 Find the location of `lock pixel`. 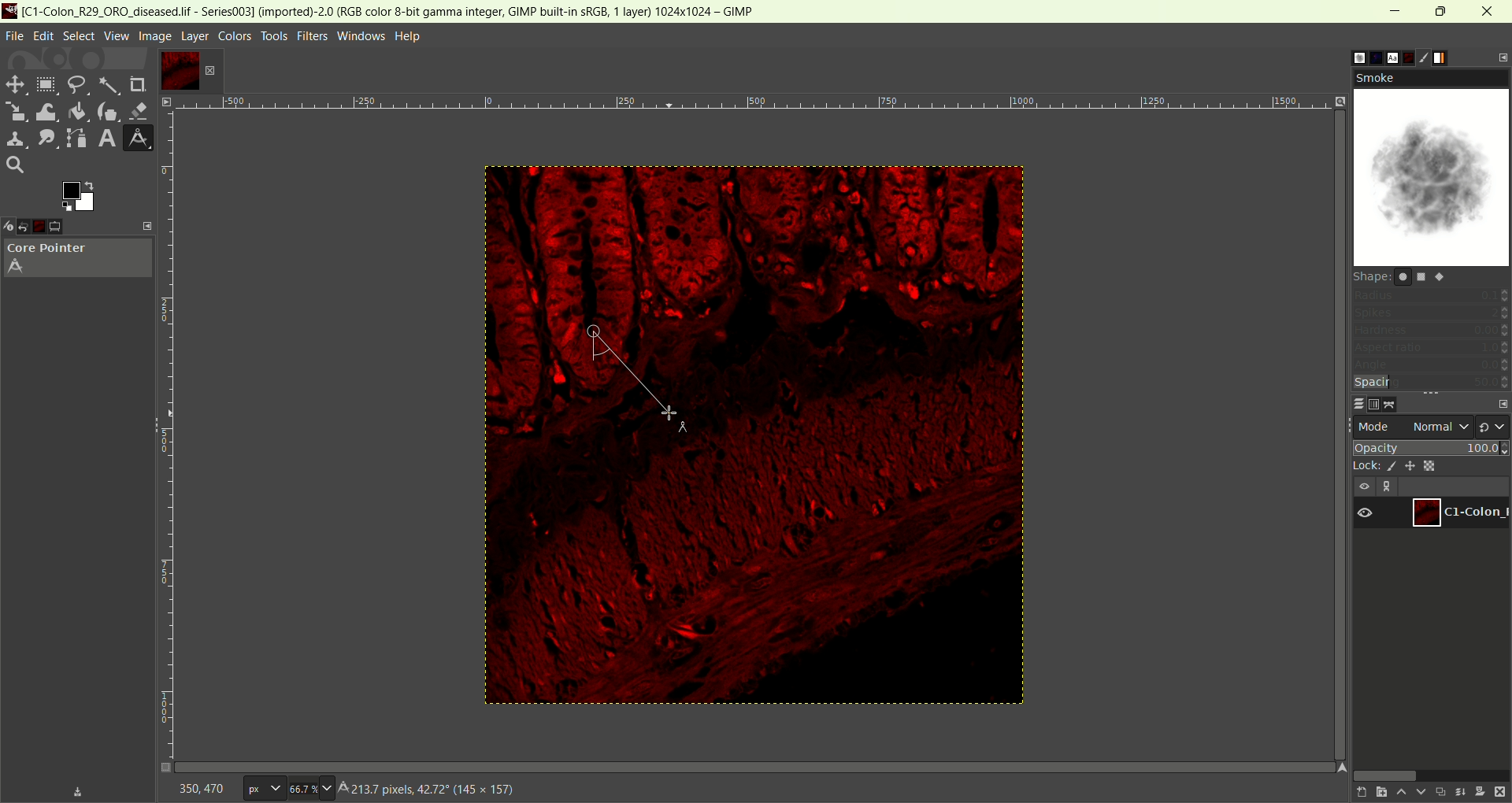

lock pixel is located at coordinates (1388, 467).